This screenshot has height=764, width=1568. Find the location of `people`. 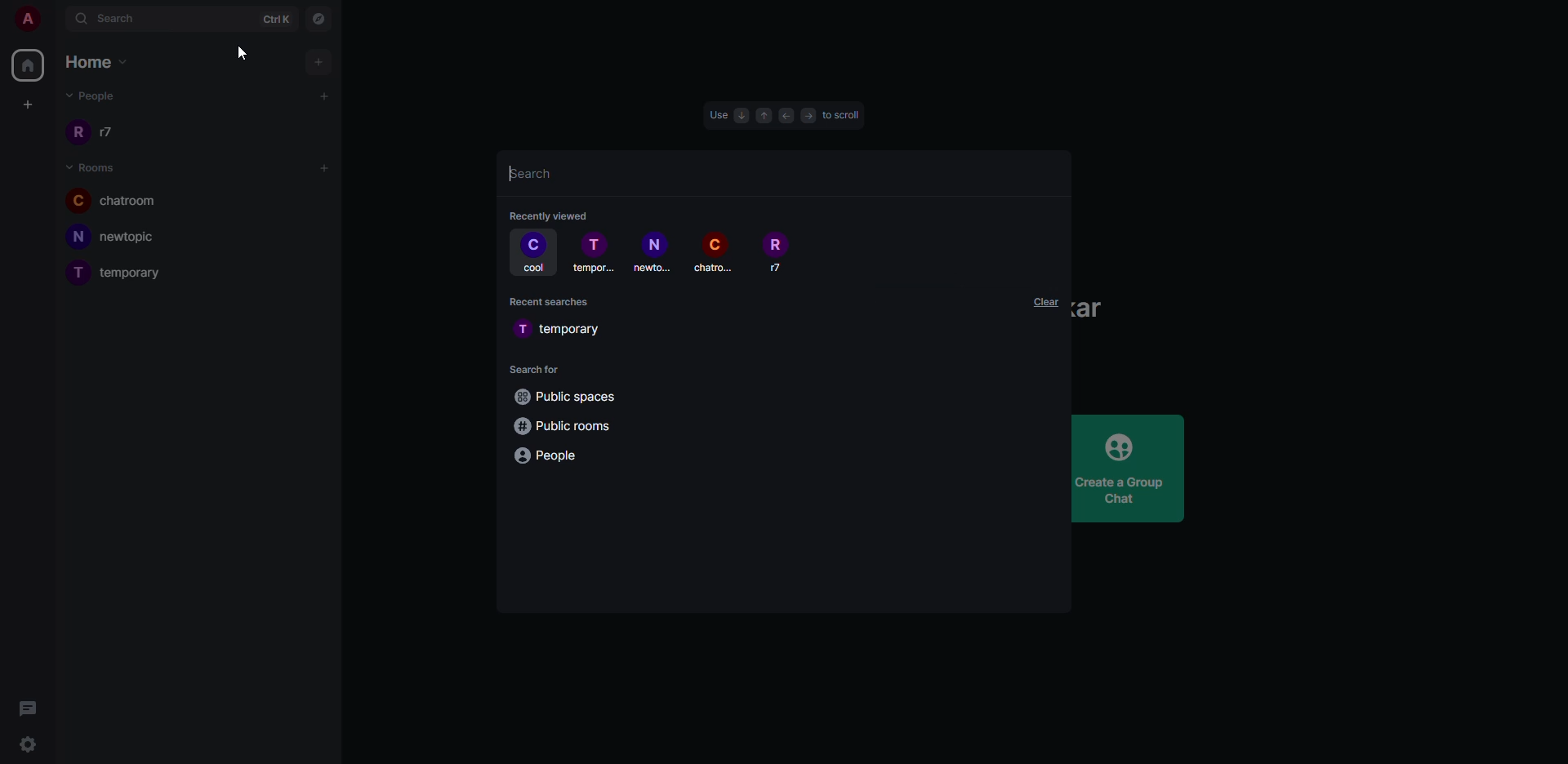

people is located at coordinates (106, 133).